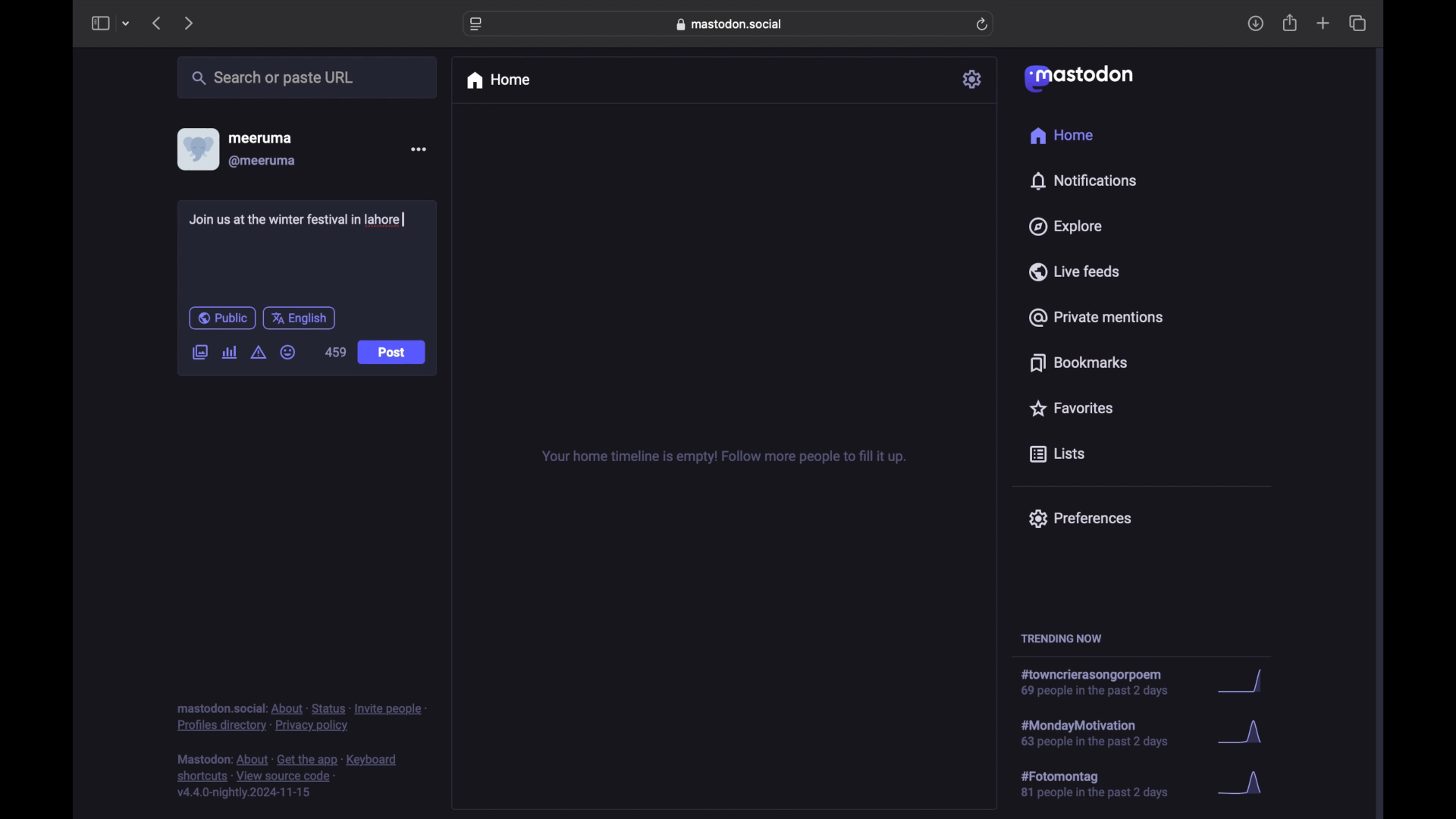  Describe the element at coordinates (1057, 455) in the screenshot. I see `lists` at that location.